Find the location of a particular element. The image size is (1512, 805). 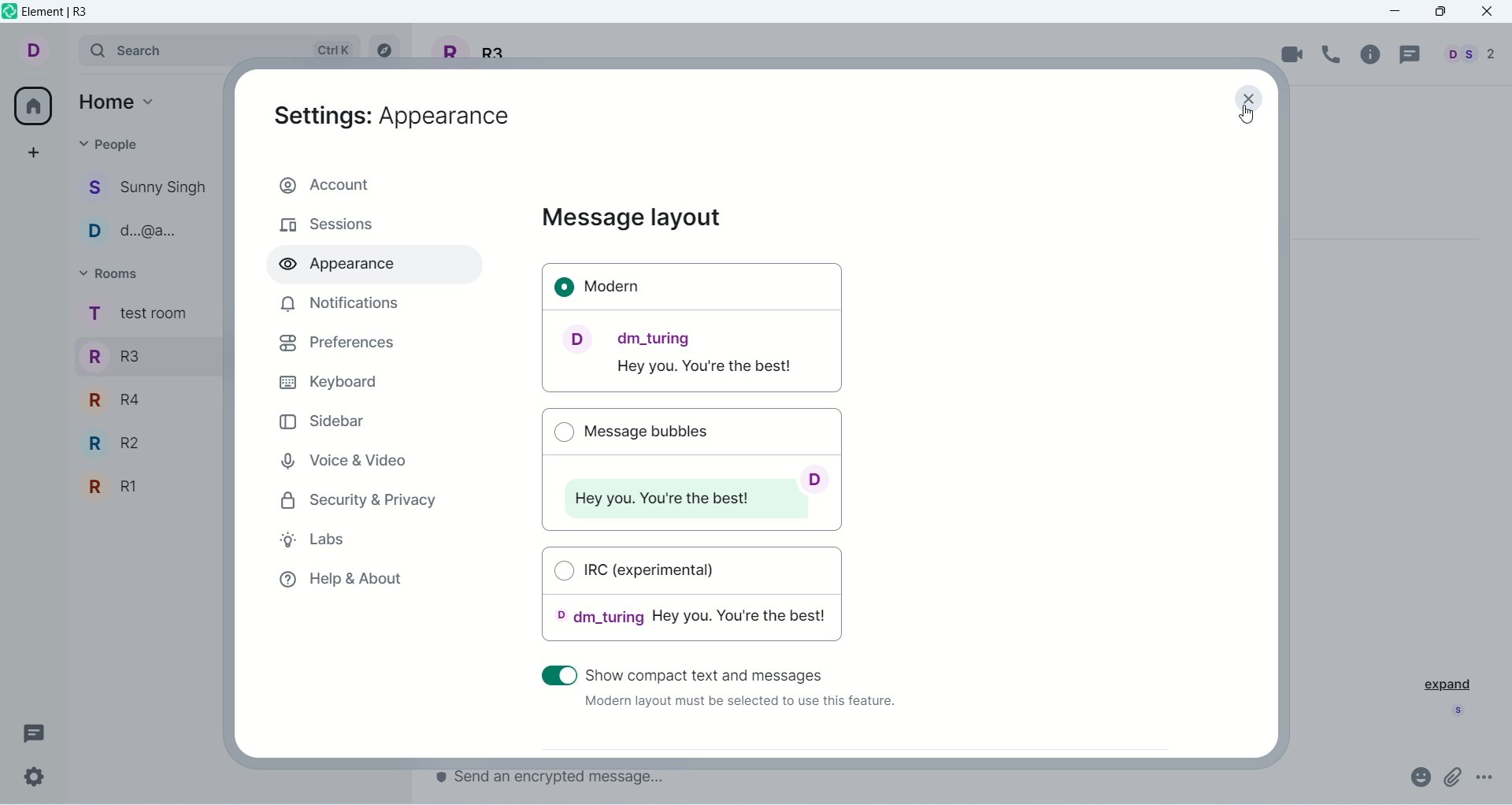

R1 is located at coordinates (145, 488).